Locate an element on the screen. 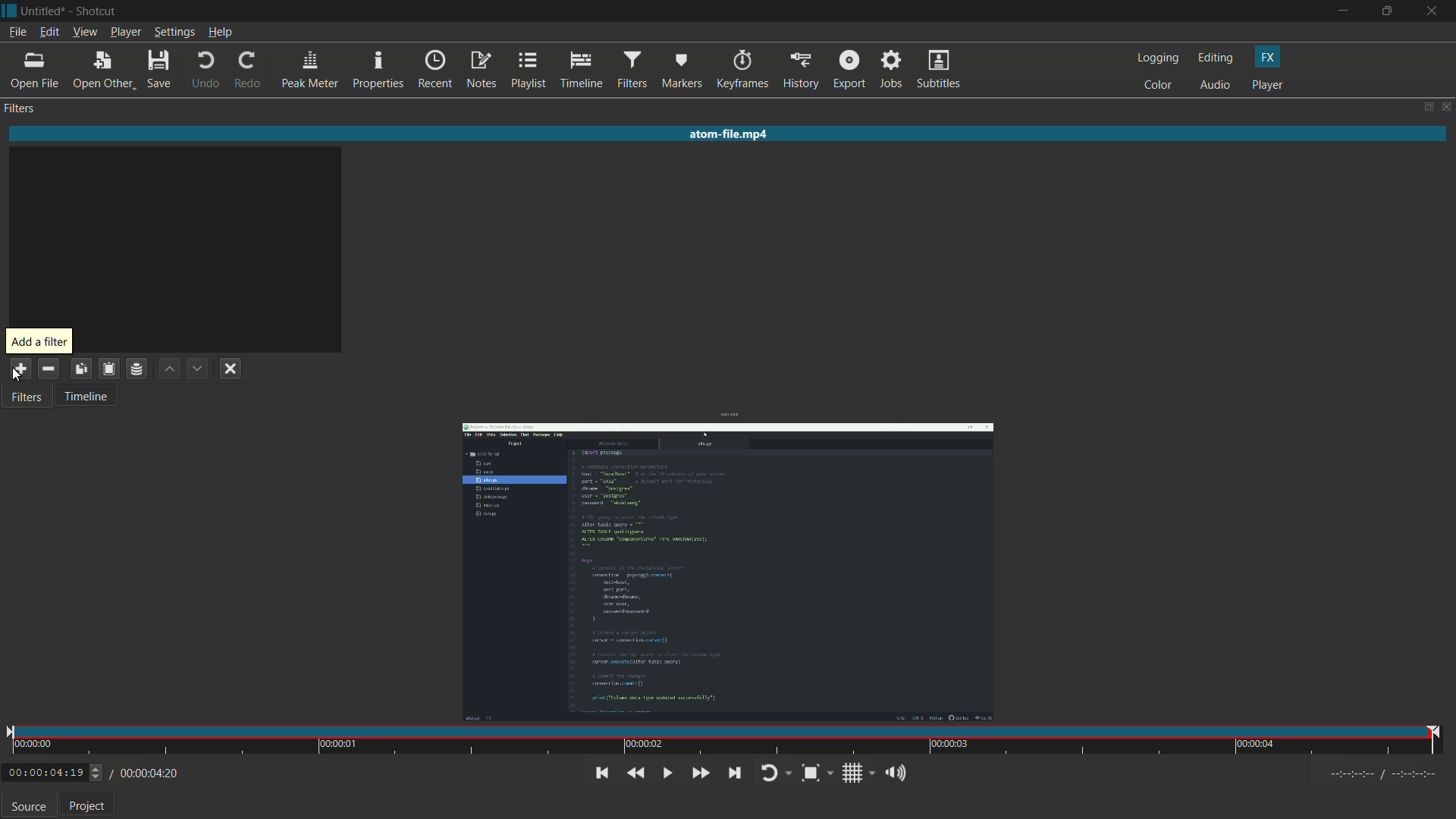 The width and height of the screenshot is (1456, 819). / 00:00:04:20 is located at coordinates (145, 773).